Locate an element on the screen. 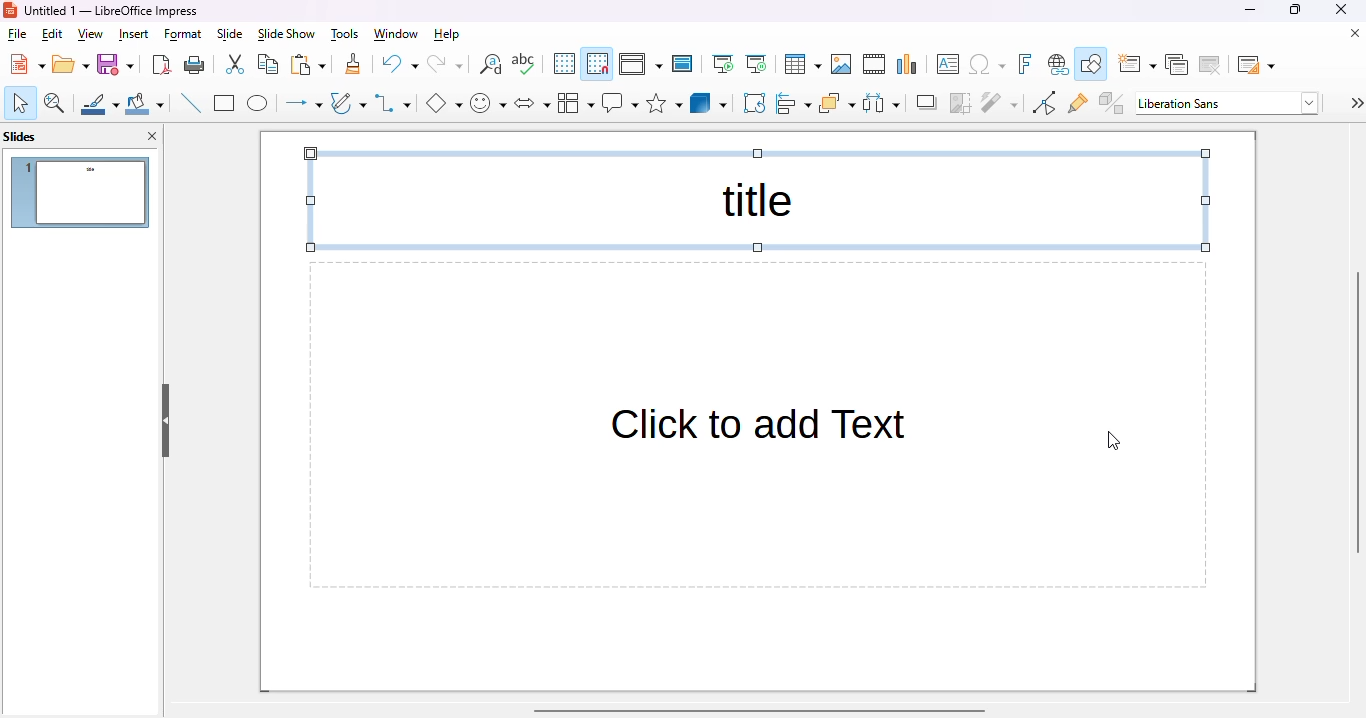  file is located at coordinates (17, 34).